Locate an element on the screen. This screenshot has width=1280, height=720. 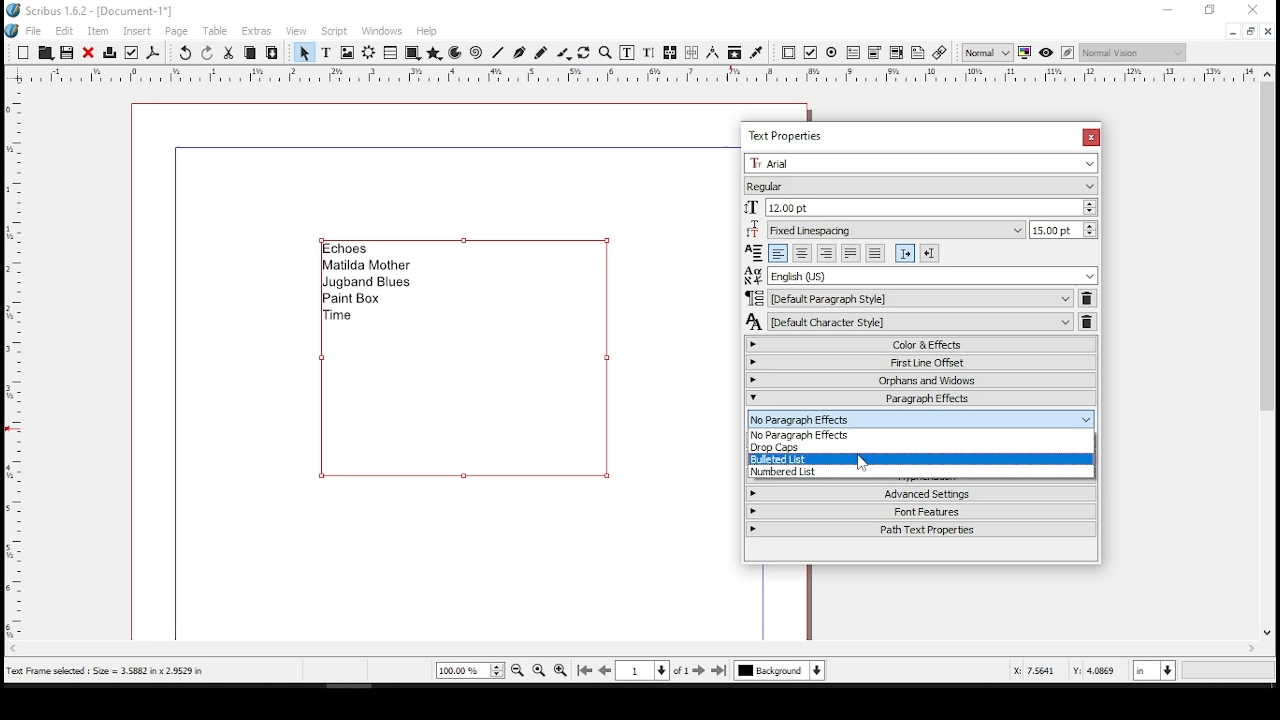
polygon is located at coordinates (435, 54).